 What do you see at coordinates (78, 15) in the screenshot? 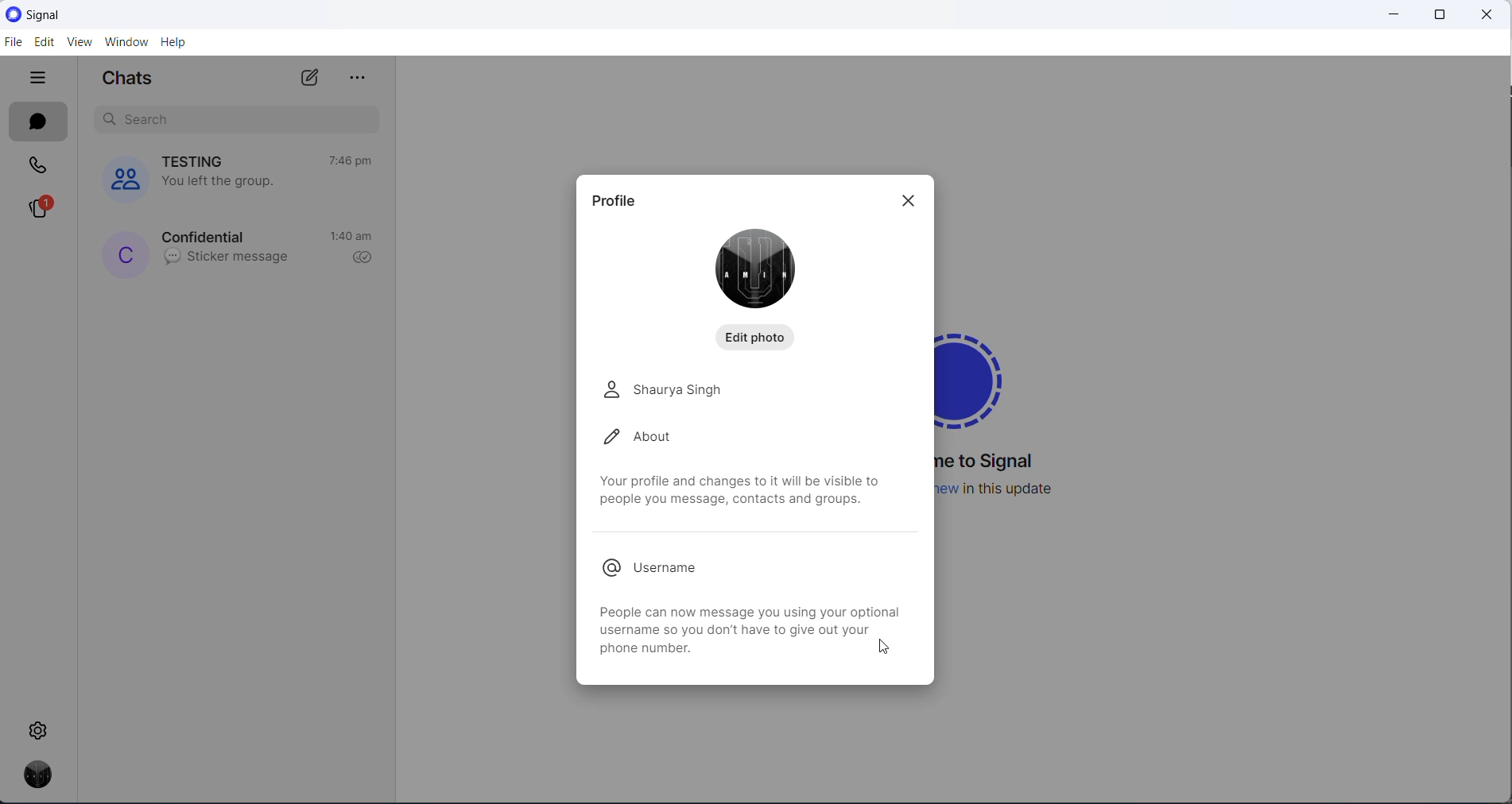
I see `application logo and name` at bounding box center [78, 15].